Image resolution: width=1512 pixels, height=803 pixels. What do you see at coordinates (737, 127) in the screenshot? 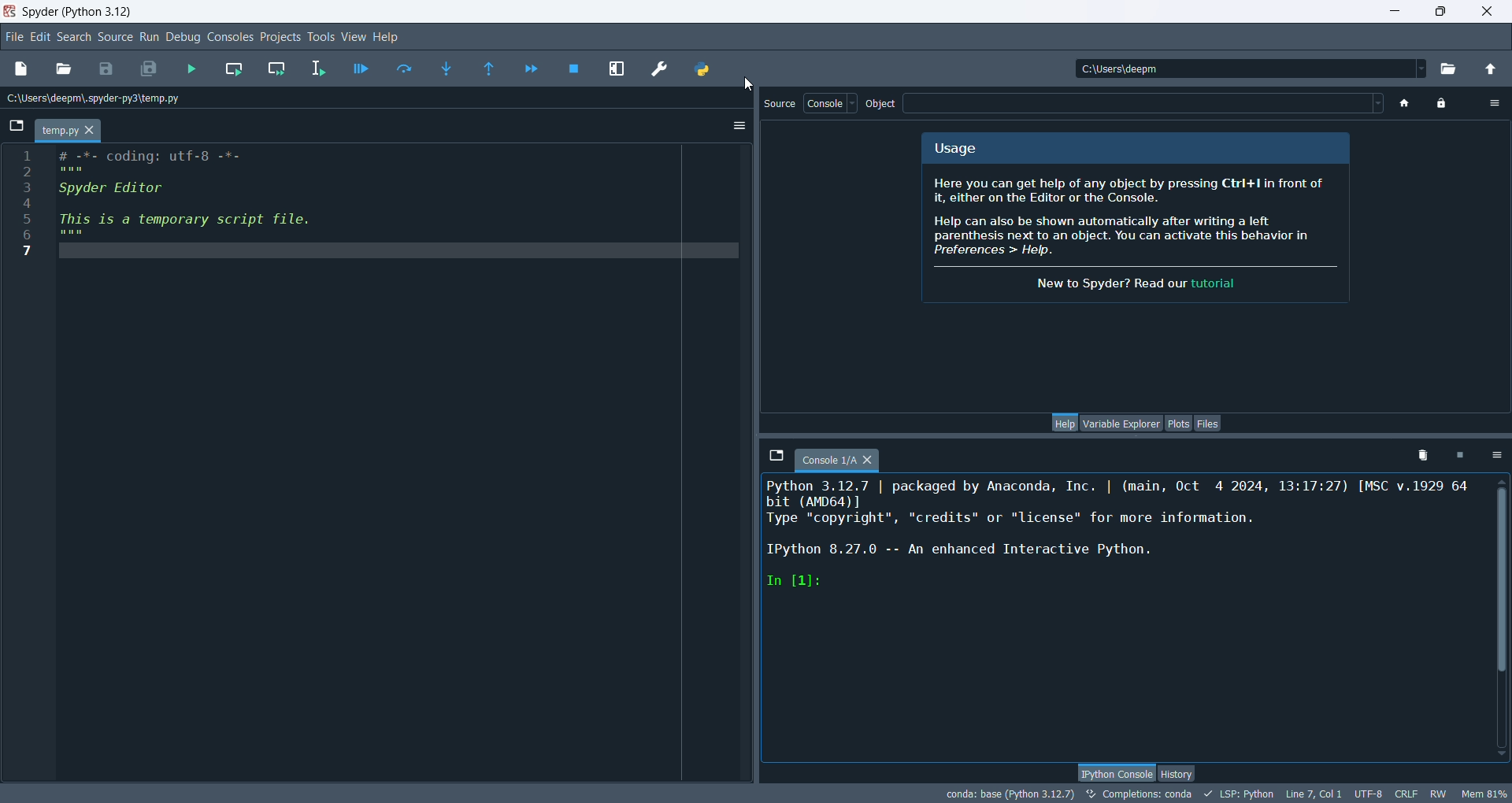
I see `options` at bounding box center [737, 127].